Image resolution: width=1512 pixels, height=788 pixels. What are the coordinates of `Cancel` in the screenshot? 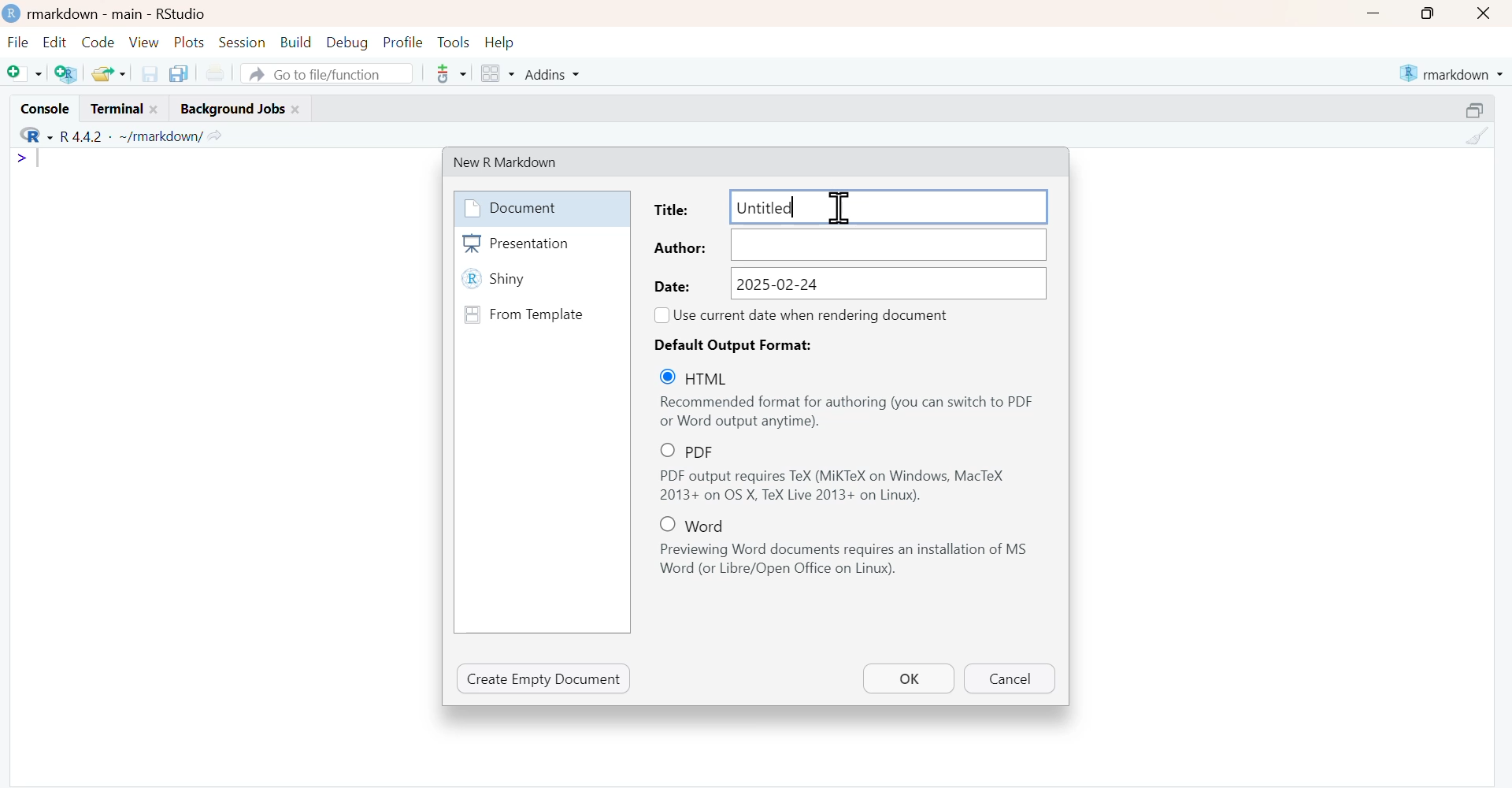 It's located at (1008, 679).